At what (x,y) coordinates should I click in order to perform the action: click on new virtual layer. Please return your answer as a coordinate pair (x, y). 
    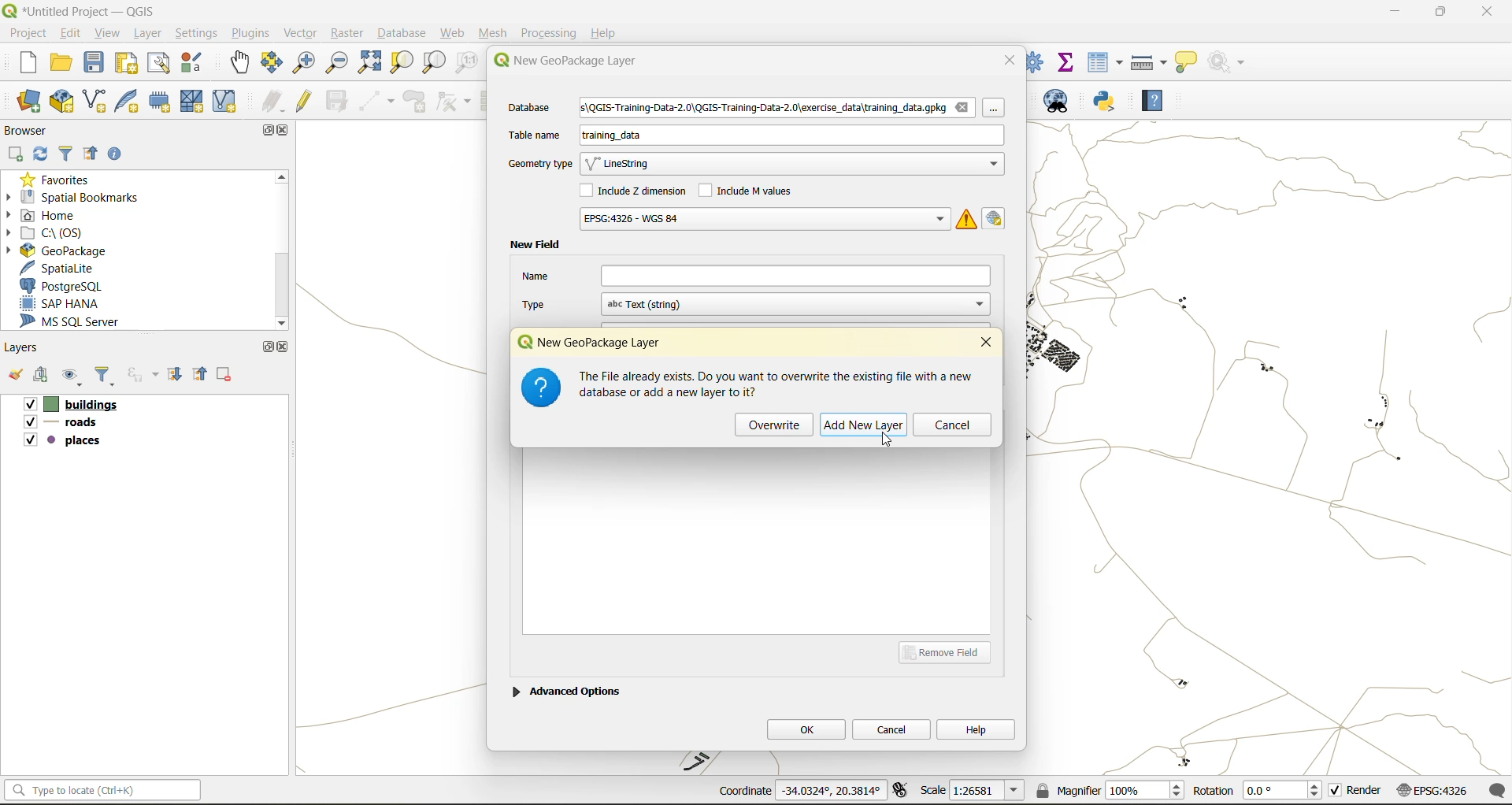
    Looking at the image, I should click on (224, 102).